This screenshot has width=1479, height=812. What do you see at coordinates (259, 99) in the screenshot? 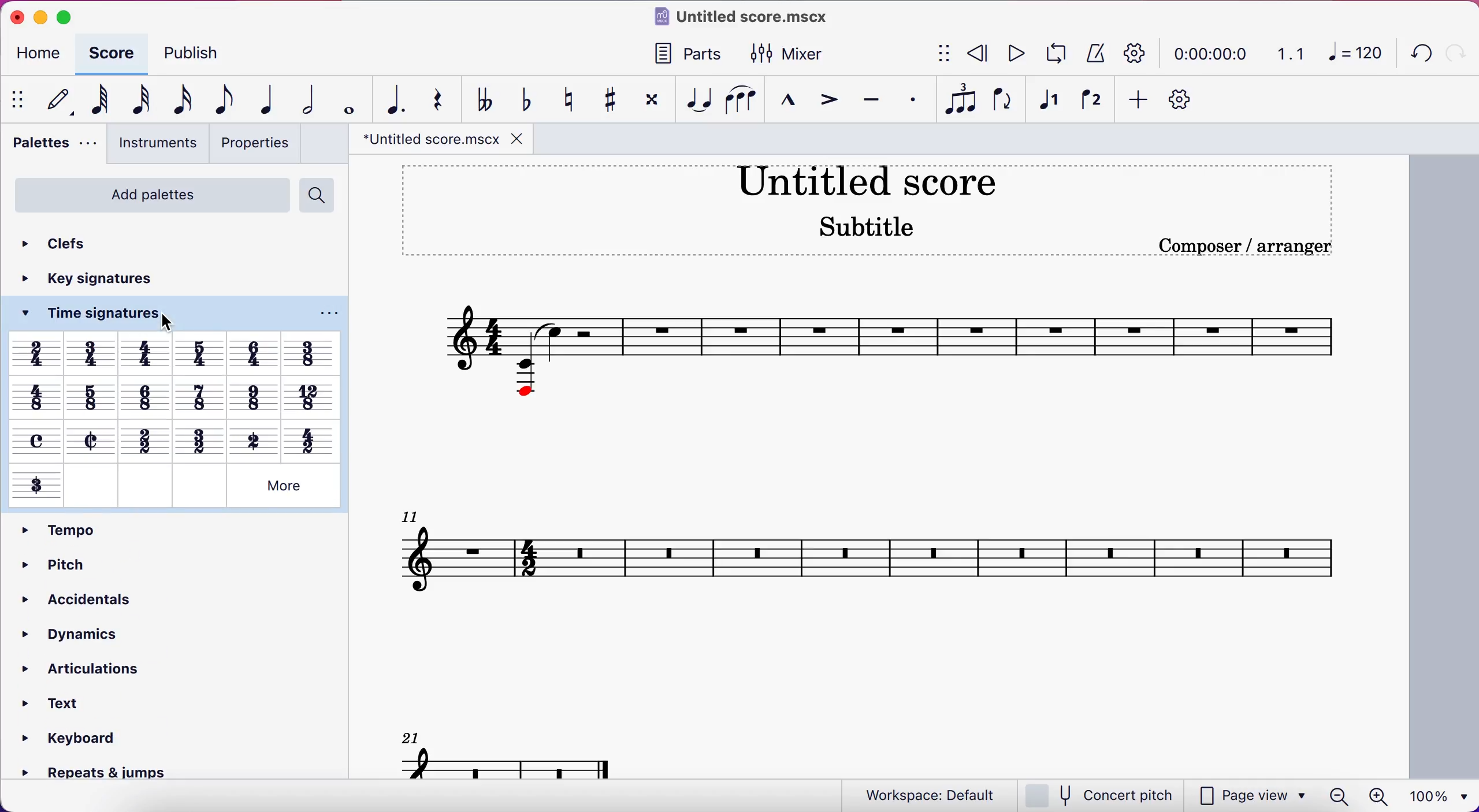
I see `quarter note` at bounding box center [259, 99].